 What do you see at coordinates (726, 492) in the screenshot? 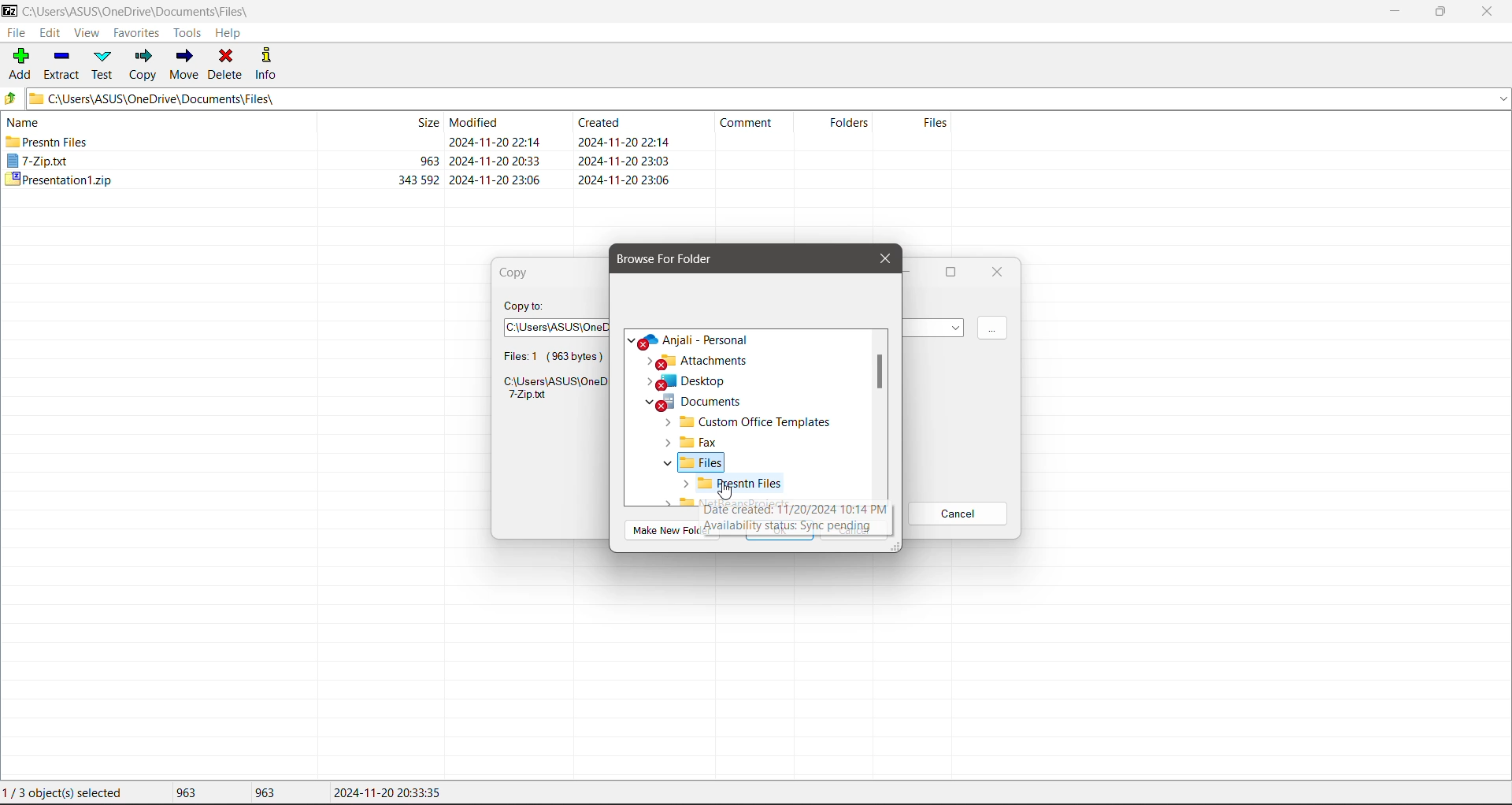
I see `cursor` at bounding box center [726, 492].